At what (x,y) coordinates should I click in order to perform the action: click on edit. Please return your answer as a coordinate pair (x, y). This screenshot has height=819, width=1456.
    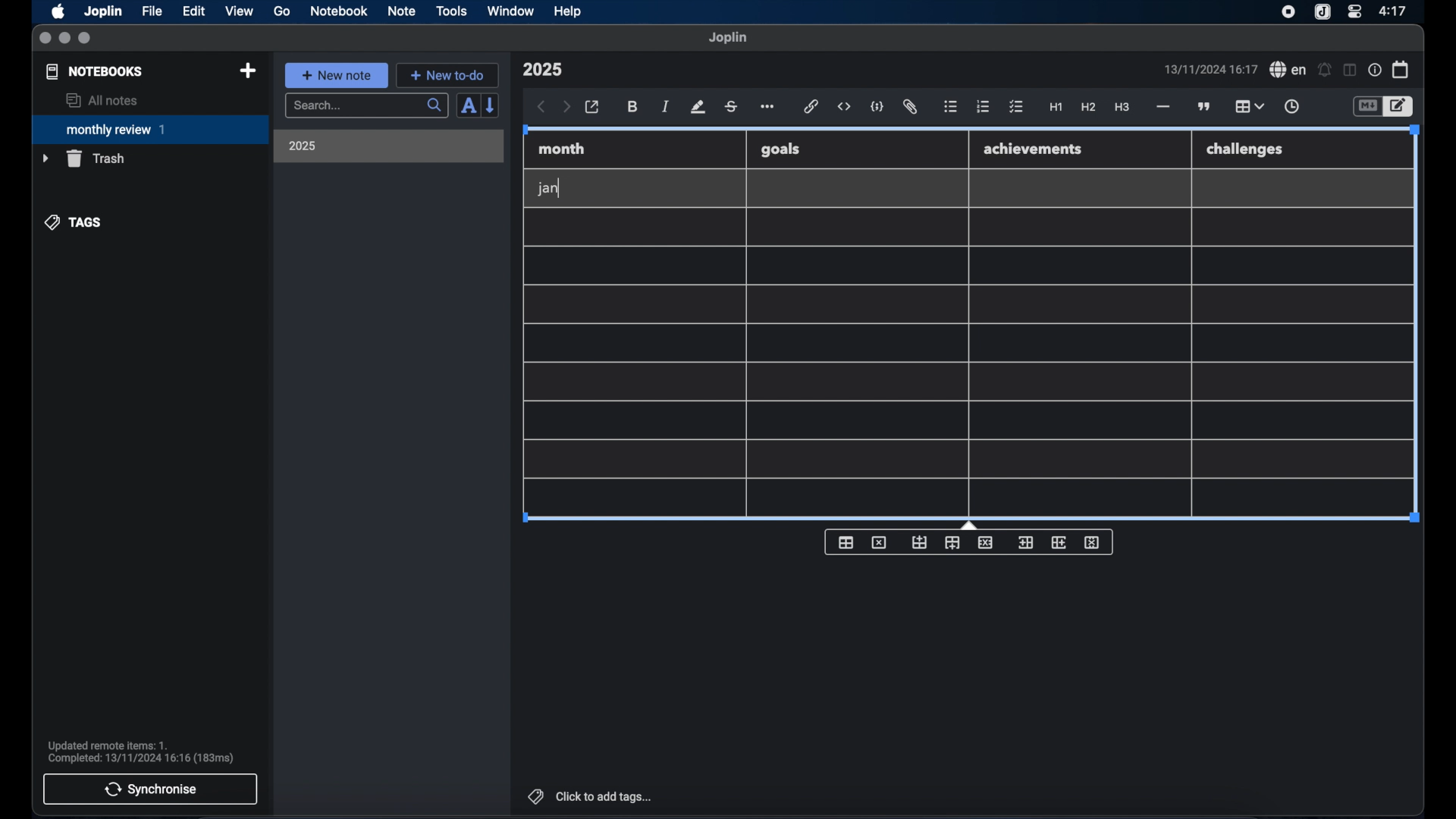
    Looking at the image, I should click on (195, 11).